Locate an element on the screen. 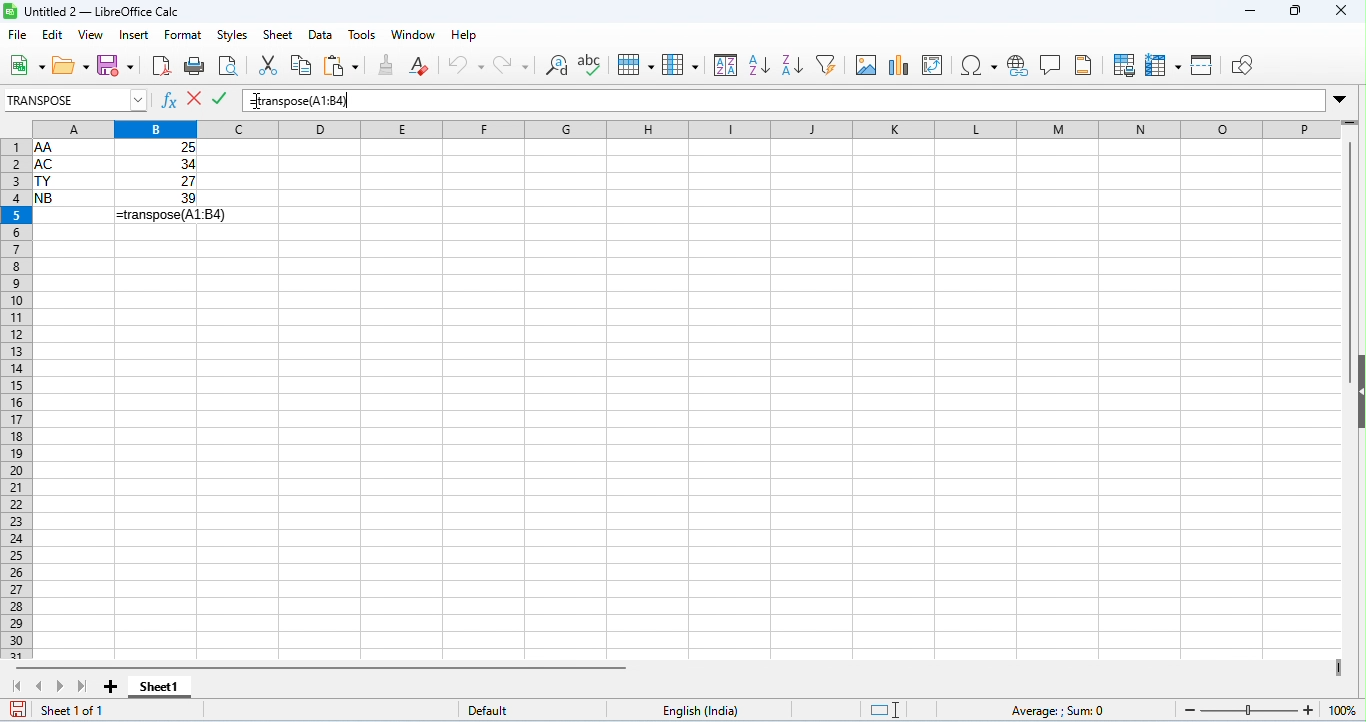  styles is located at coordinates (234, 36).